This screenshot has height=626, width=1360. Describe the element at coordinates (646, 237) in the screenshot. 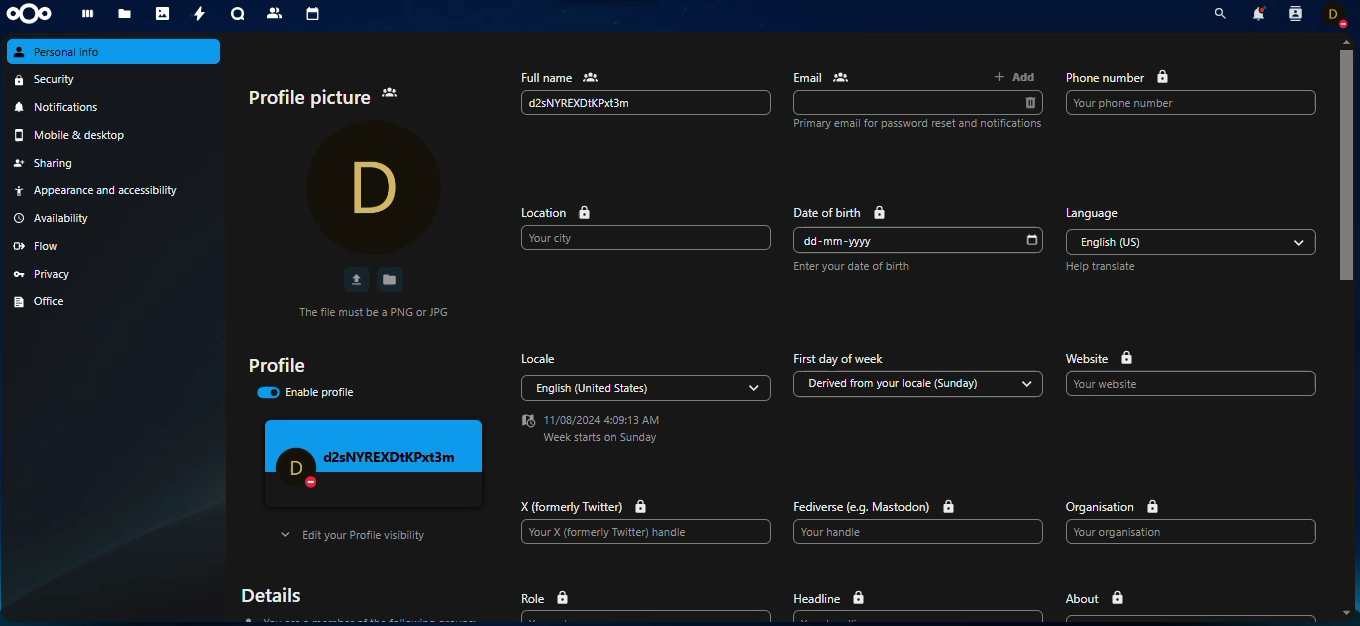

I see `Your city` at that location.